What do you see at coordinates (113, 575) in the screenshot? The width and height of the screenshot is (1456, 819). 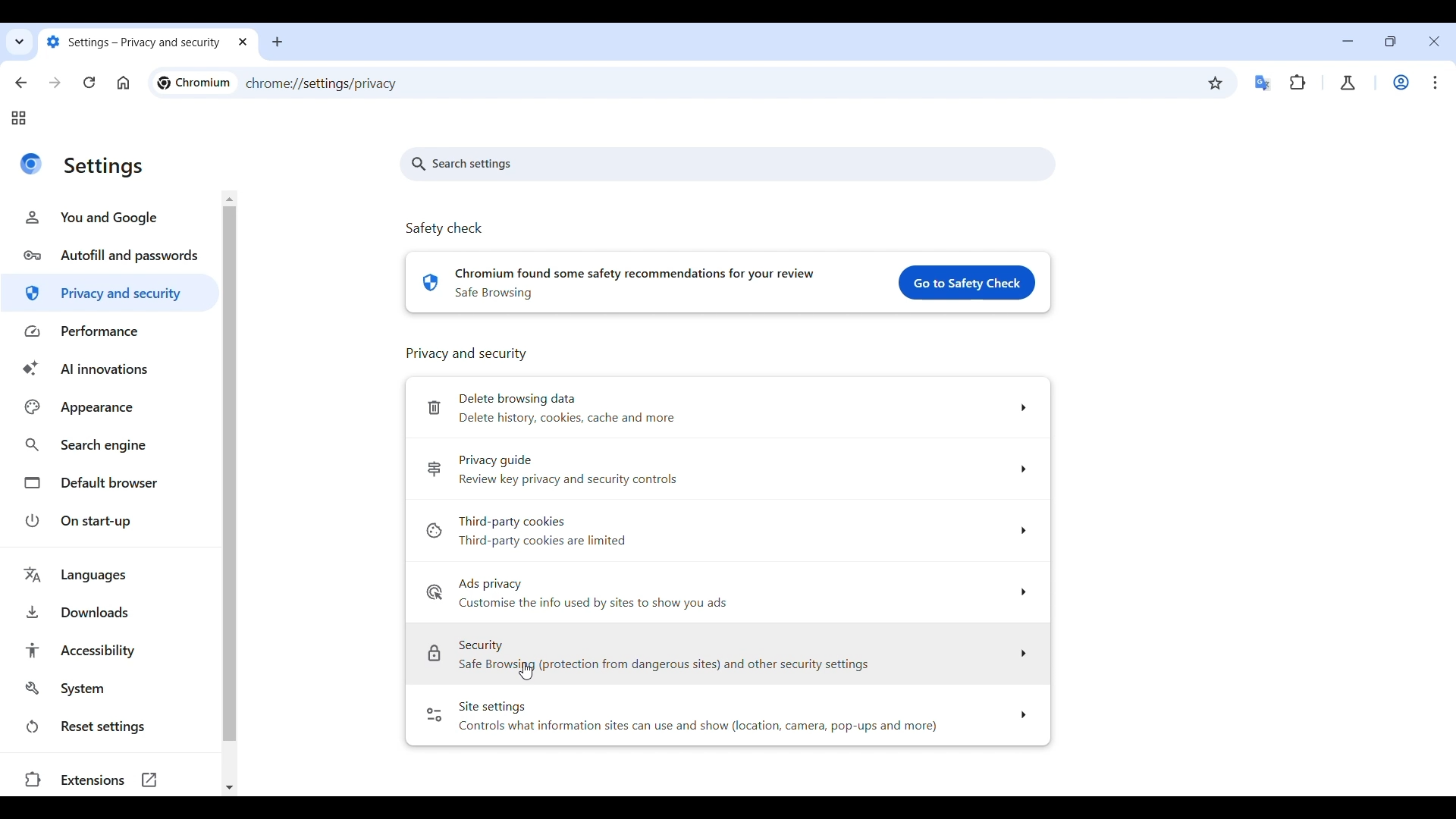 I see `Languages` at bounding box center [113, 575].